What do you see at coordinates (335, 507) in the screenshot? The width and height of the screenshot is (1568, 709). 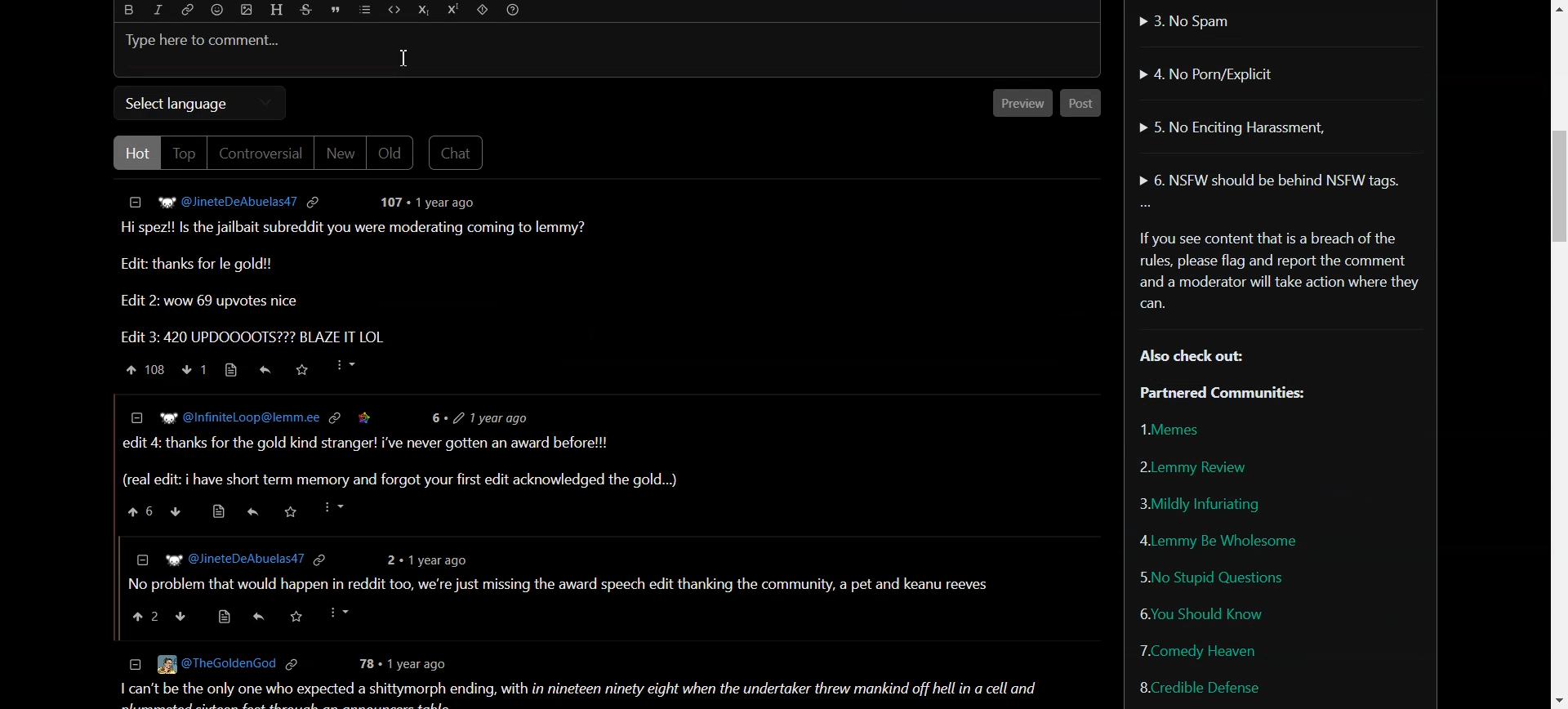 I see `more` at bounding box center [335, 507].